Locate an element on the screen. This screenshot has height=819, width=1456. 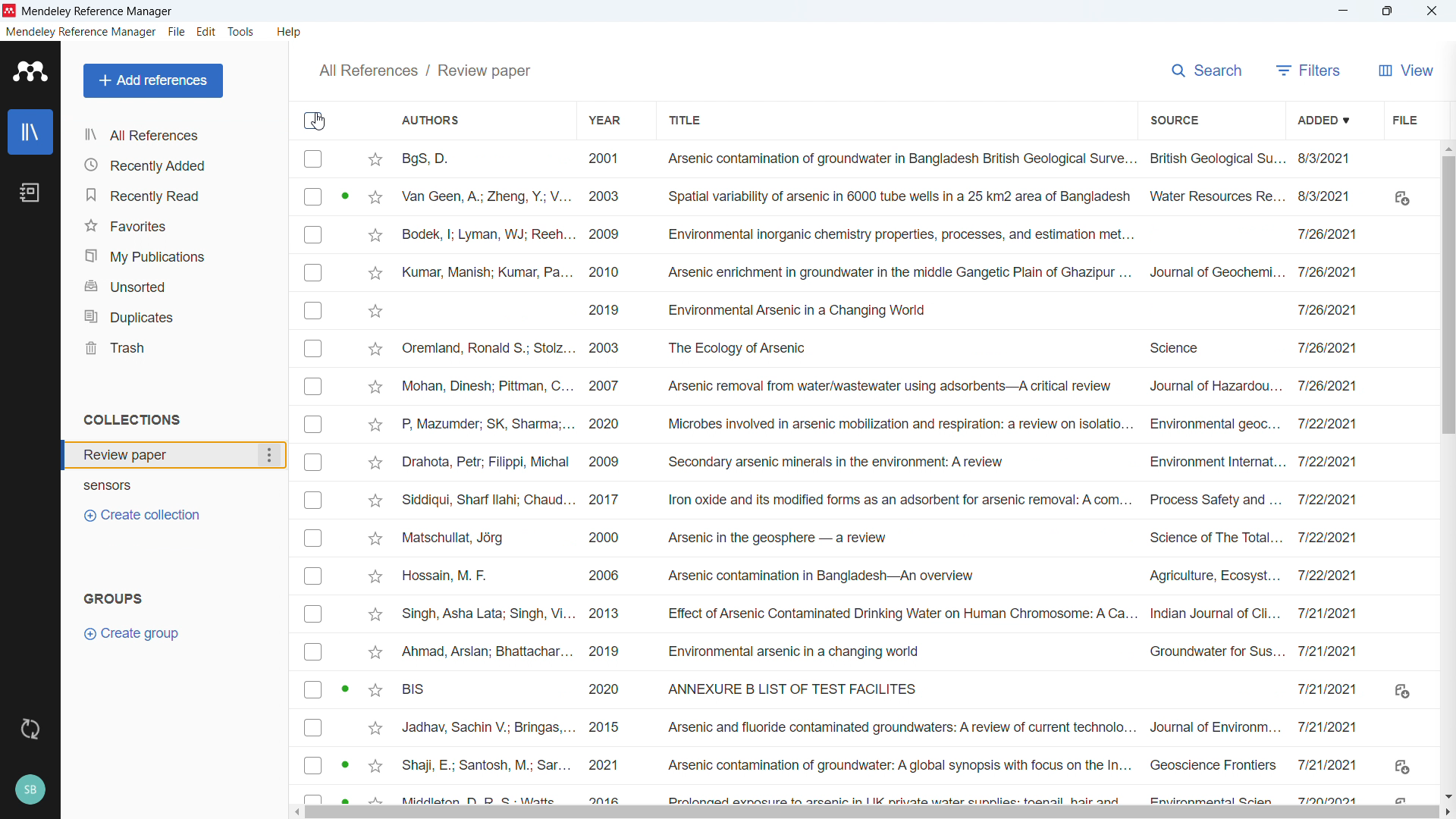
Select all entries  is located at coordinates (314, 121).